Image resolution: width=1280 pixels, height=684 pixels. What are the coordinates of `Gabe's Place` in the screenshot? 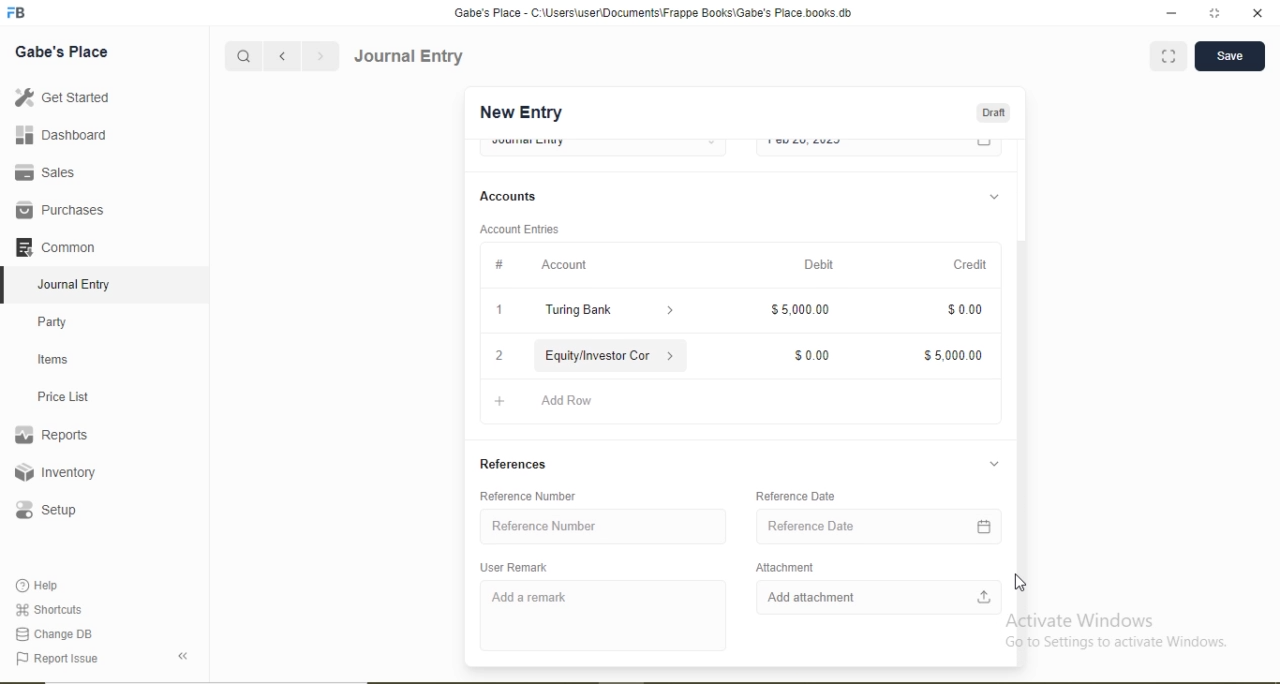 It's located at (62, 52).